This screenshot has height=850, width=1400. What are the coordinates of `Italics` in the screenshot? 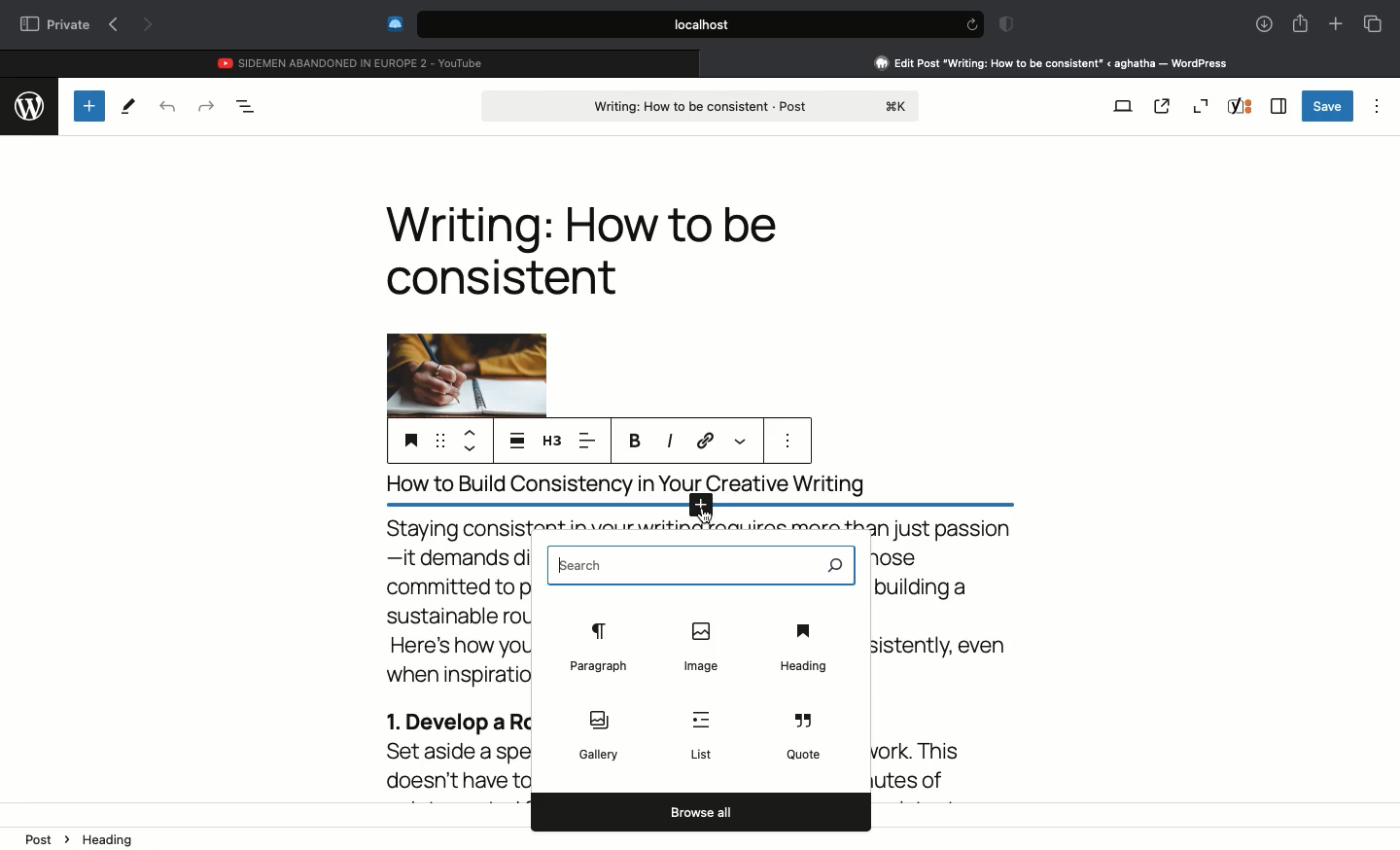 It's located at (670, 442).